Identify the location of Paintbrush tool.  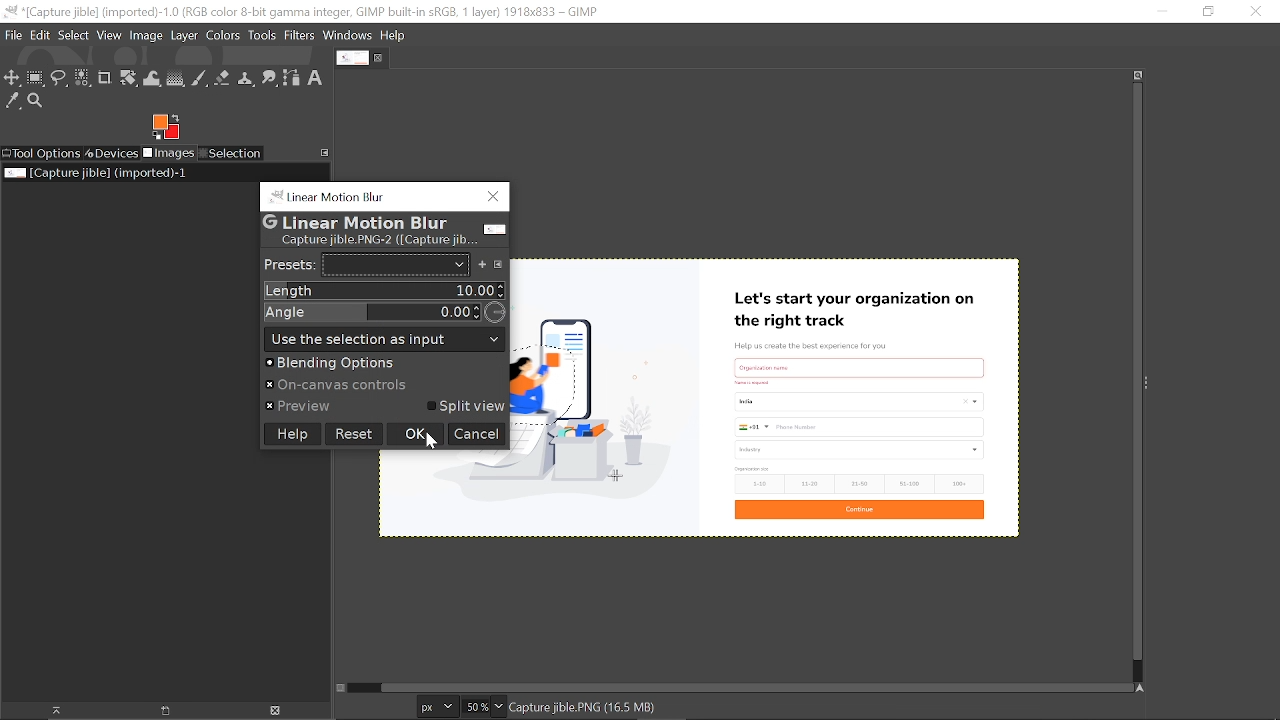
(200, 79).